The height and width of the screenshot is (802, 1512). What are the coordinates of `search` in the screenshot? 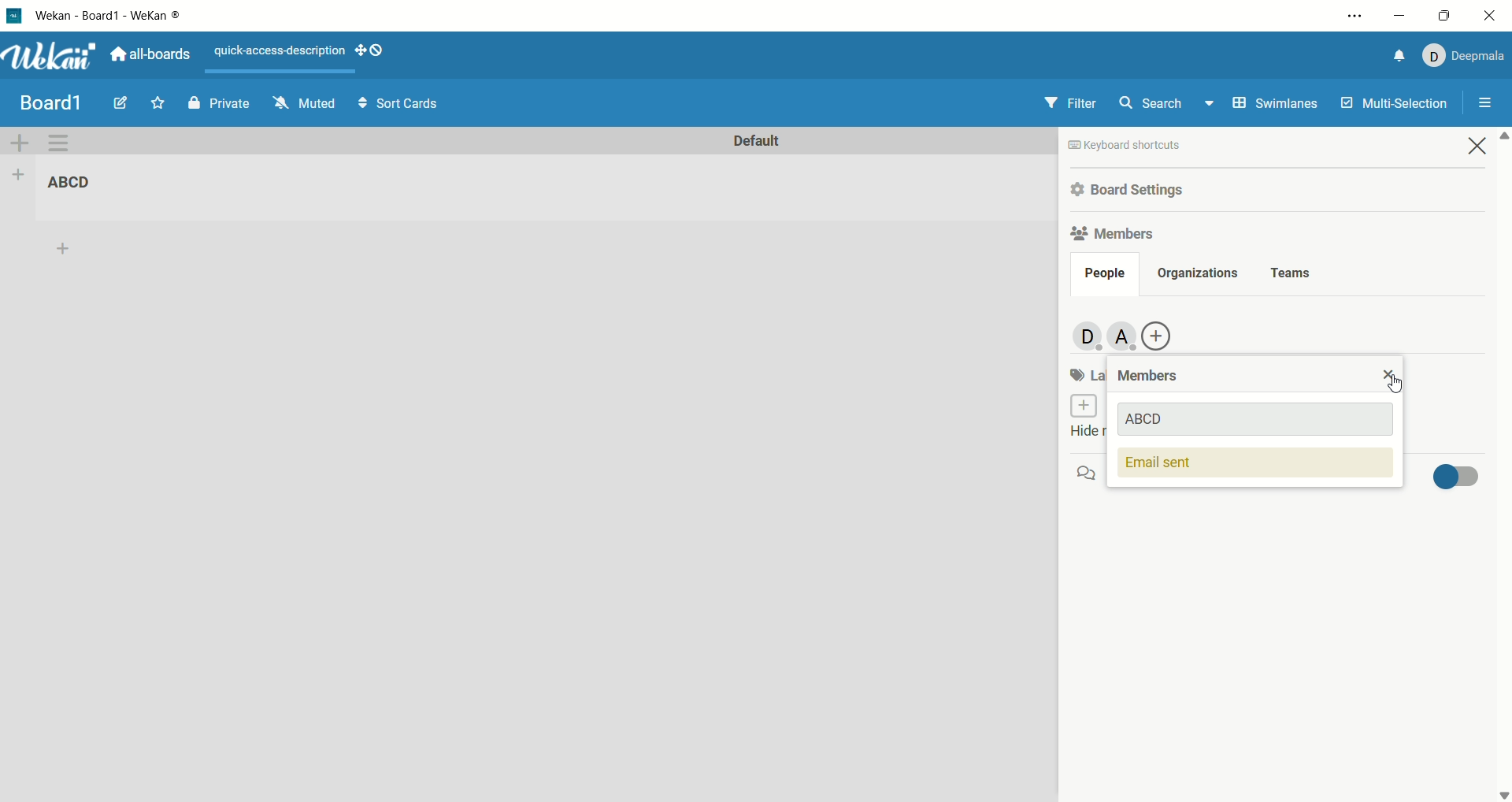 It's located at (1169, 102).